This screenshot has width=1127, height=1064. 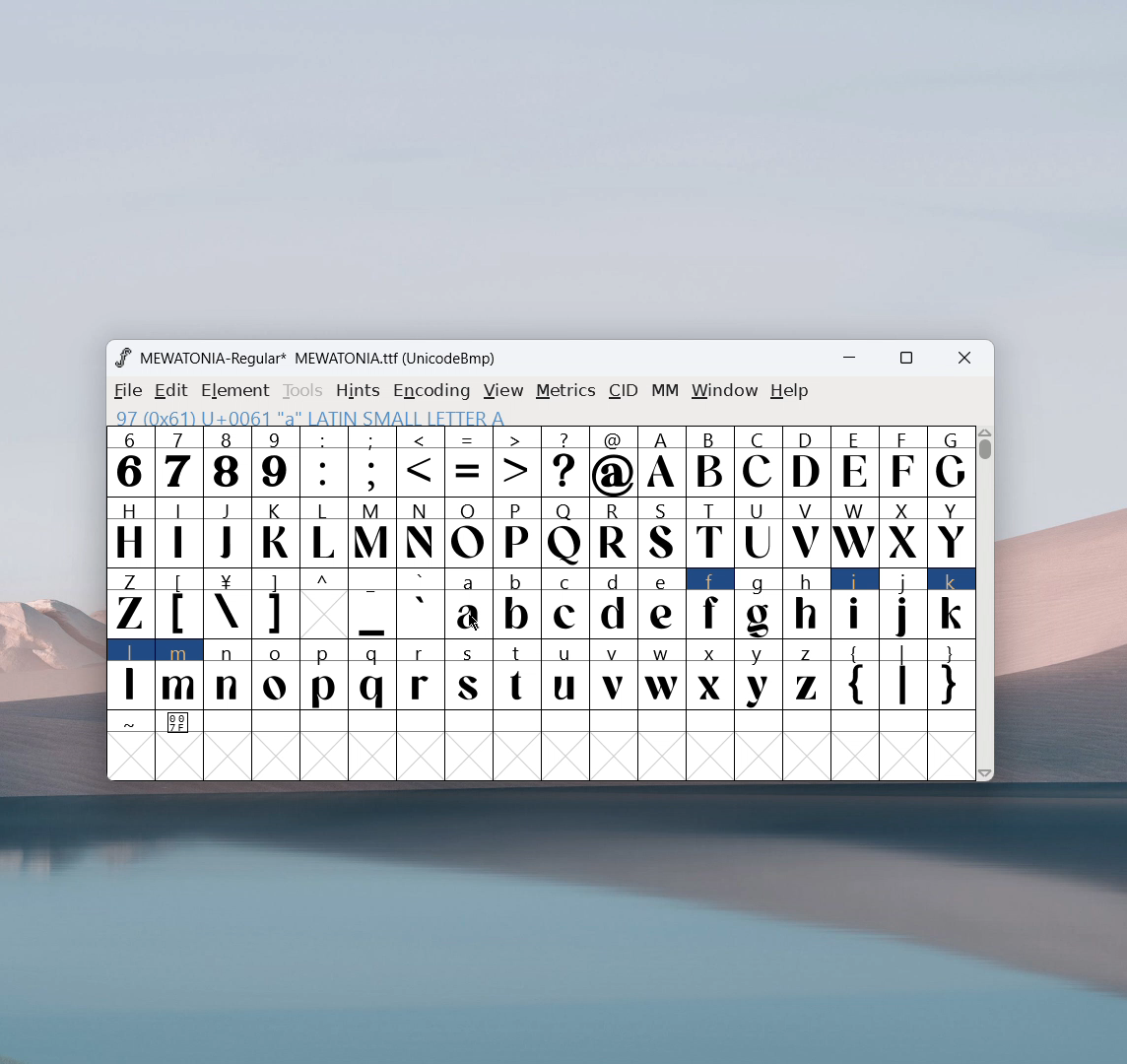 What do you see at coordinates (372, 676) in the screenshot?
I see `q` at bounding box center [372, 676].